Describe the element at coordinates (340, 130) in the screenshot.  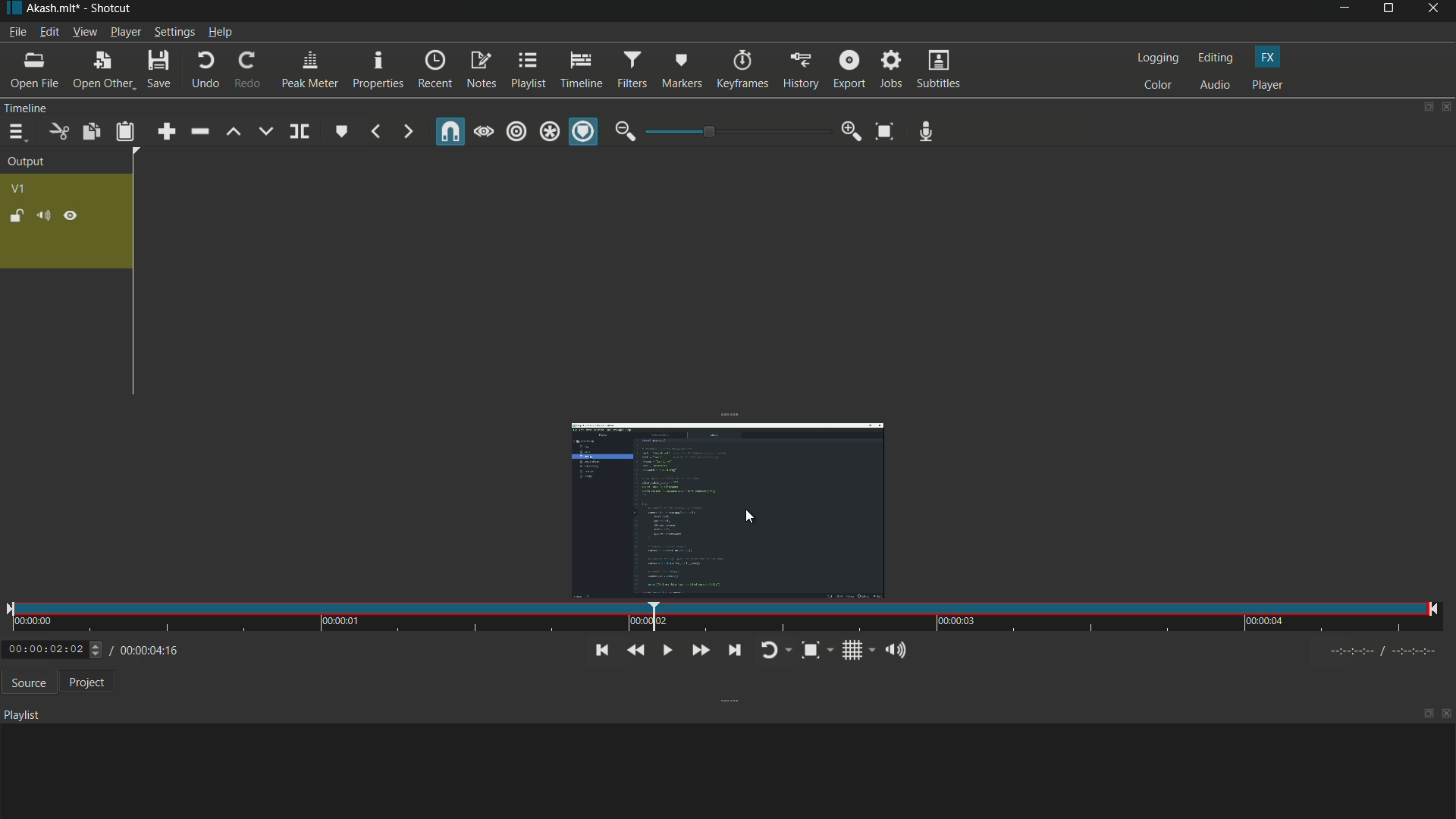
I see `create/edit marker` at that location.